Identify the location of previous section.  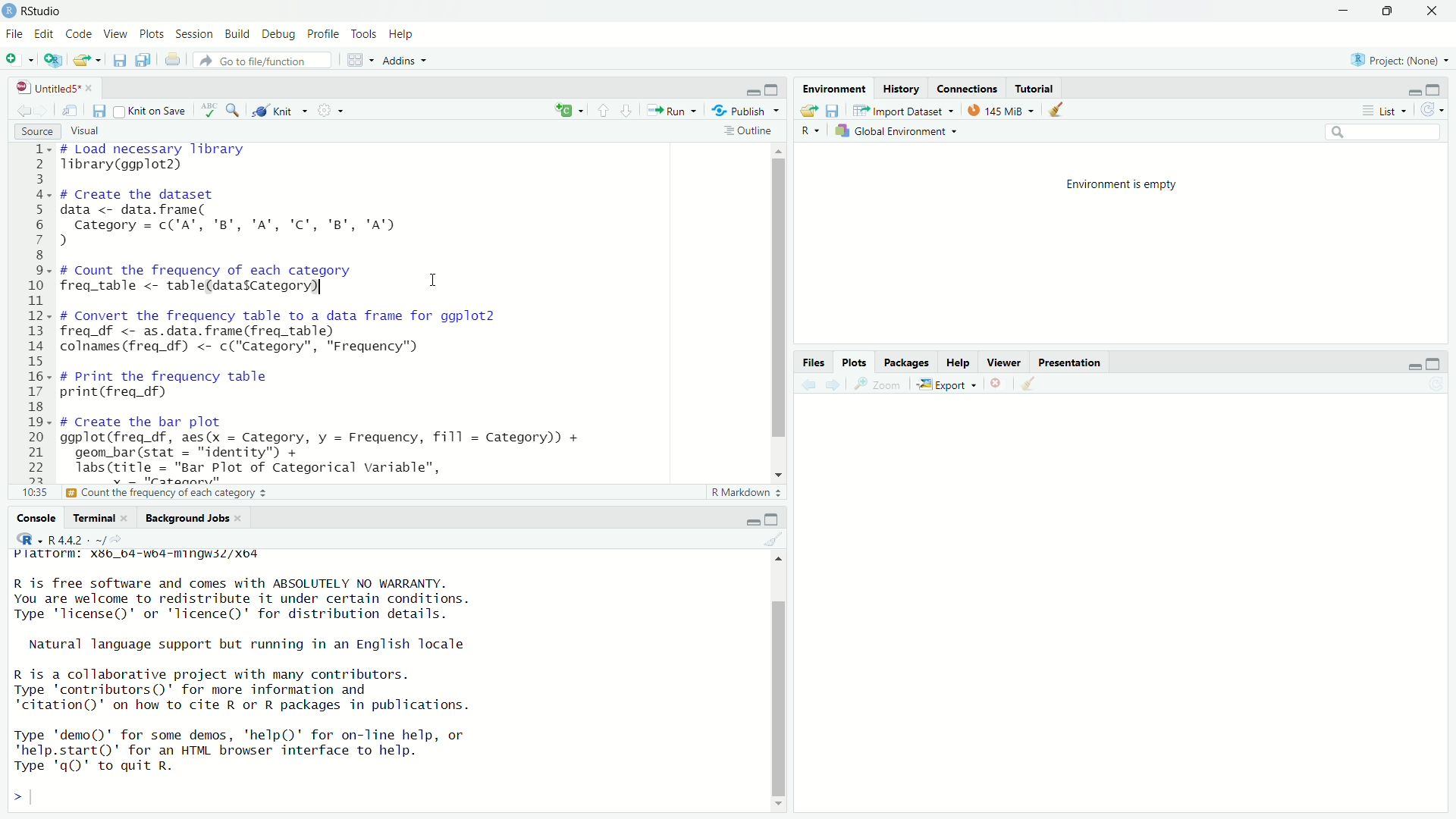
(603, 114).